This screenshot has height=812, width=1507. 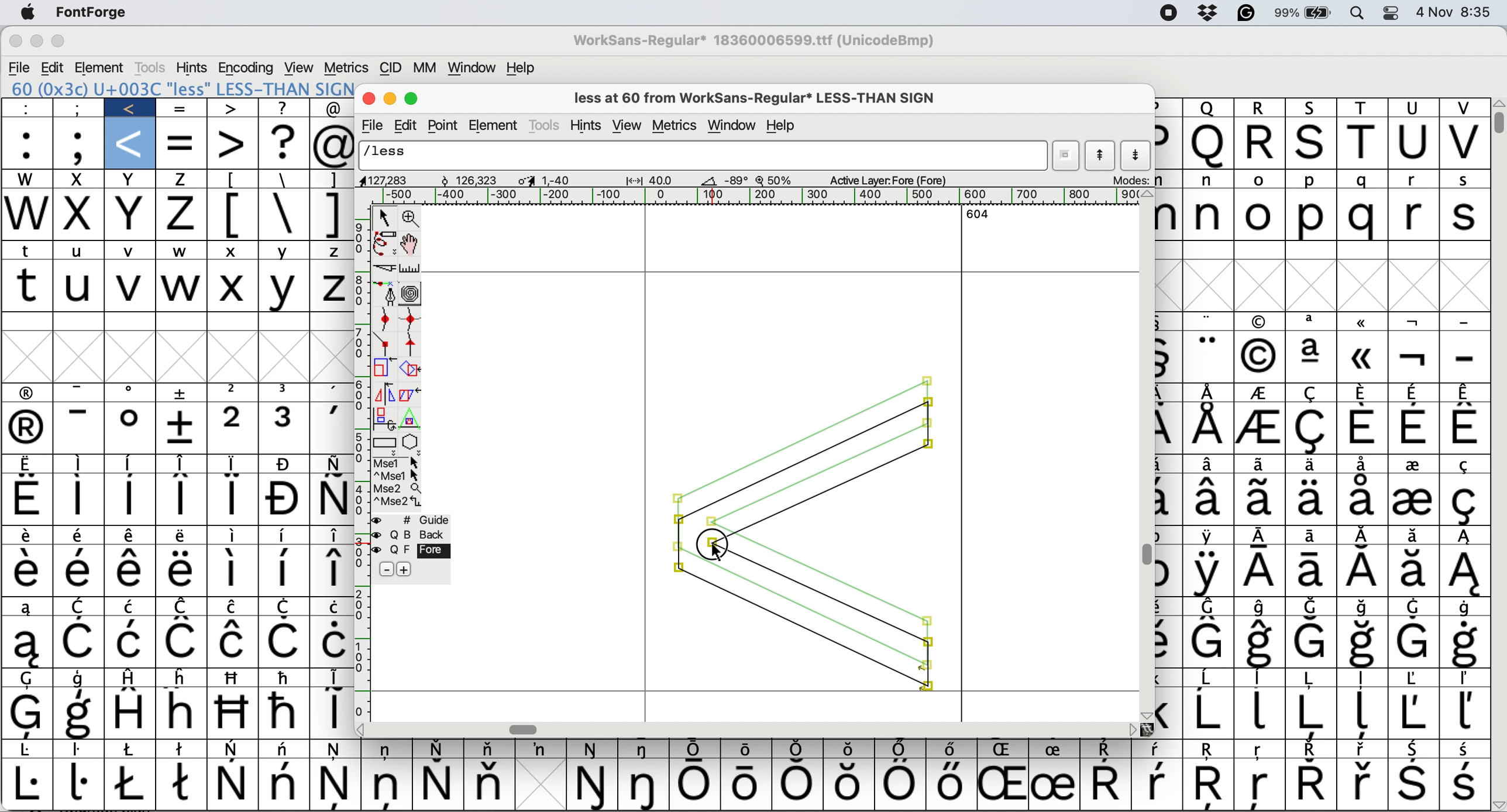 What do you see at coordinates (1158, 748) in the screenshot?
I see `Symbol` at bounding box center [1158, 748].